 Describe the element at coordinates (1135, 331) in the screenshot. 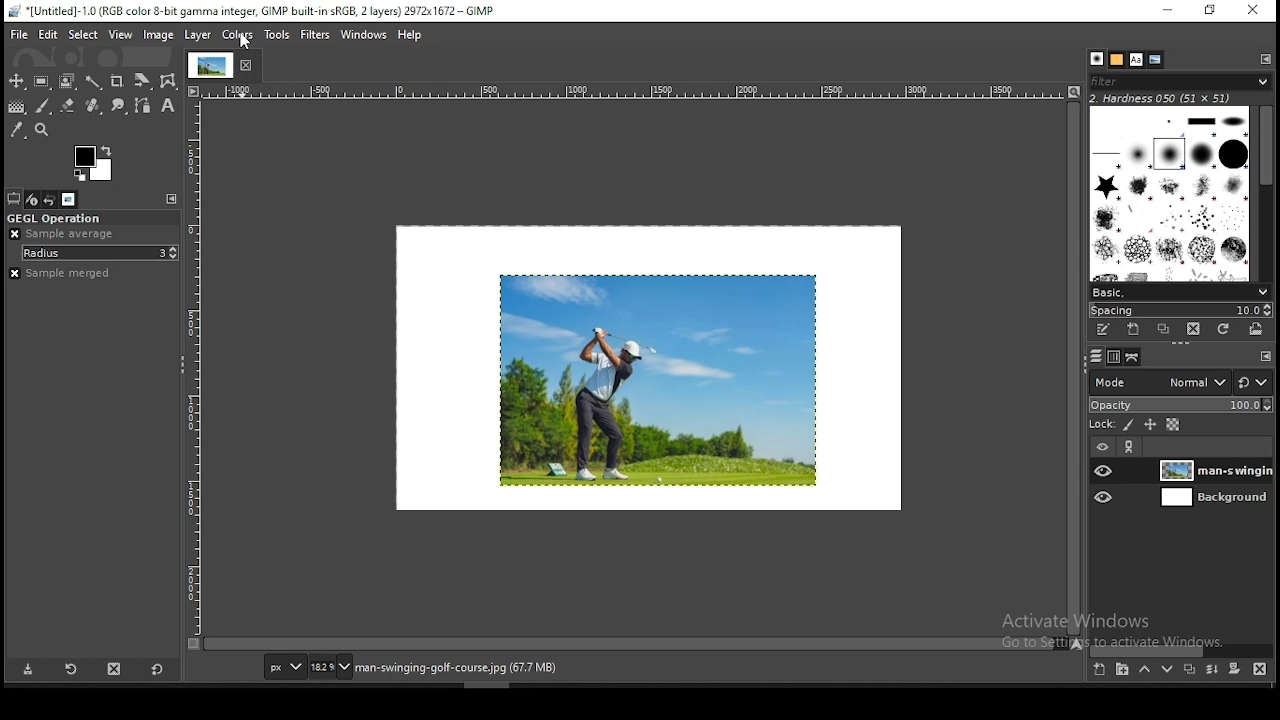

I see `create a new brush` at that location.